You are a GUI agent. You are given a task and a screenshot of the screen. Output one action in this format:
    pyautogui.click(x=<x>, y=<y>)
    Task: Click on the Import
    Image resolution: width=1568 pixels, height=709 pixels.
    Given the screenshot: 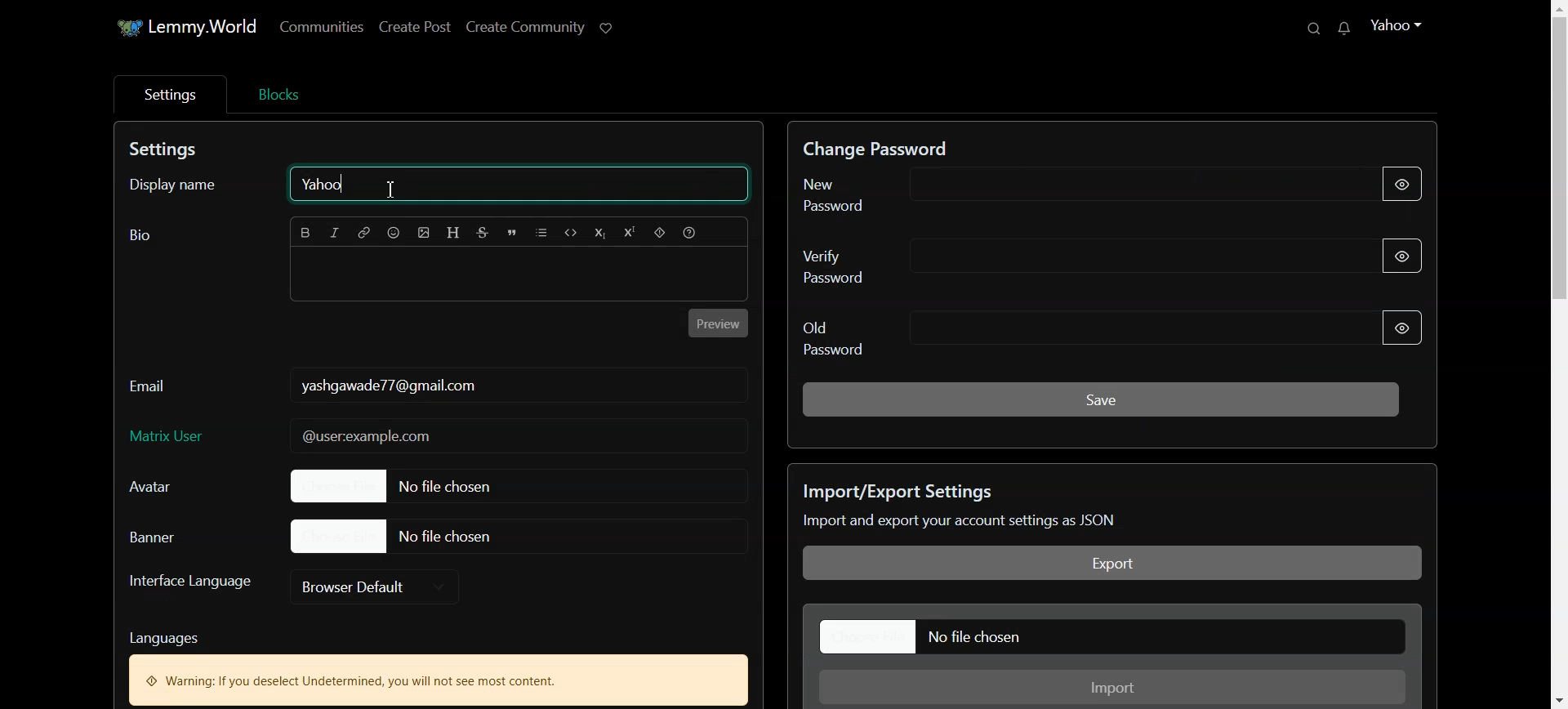 What is the action you would take?
    pyautogui.click(x=1115, y=688)
    